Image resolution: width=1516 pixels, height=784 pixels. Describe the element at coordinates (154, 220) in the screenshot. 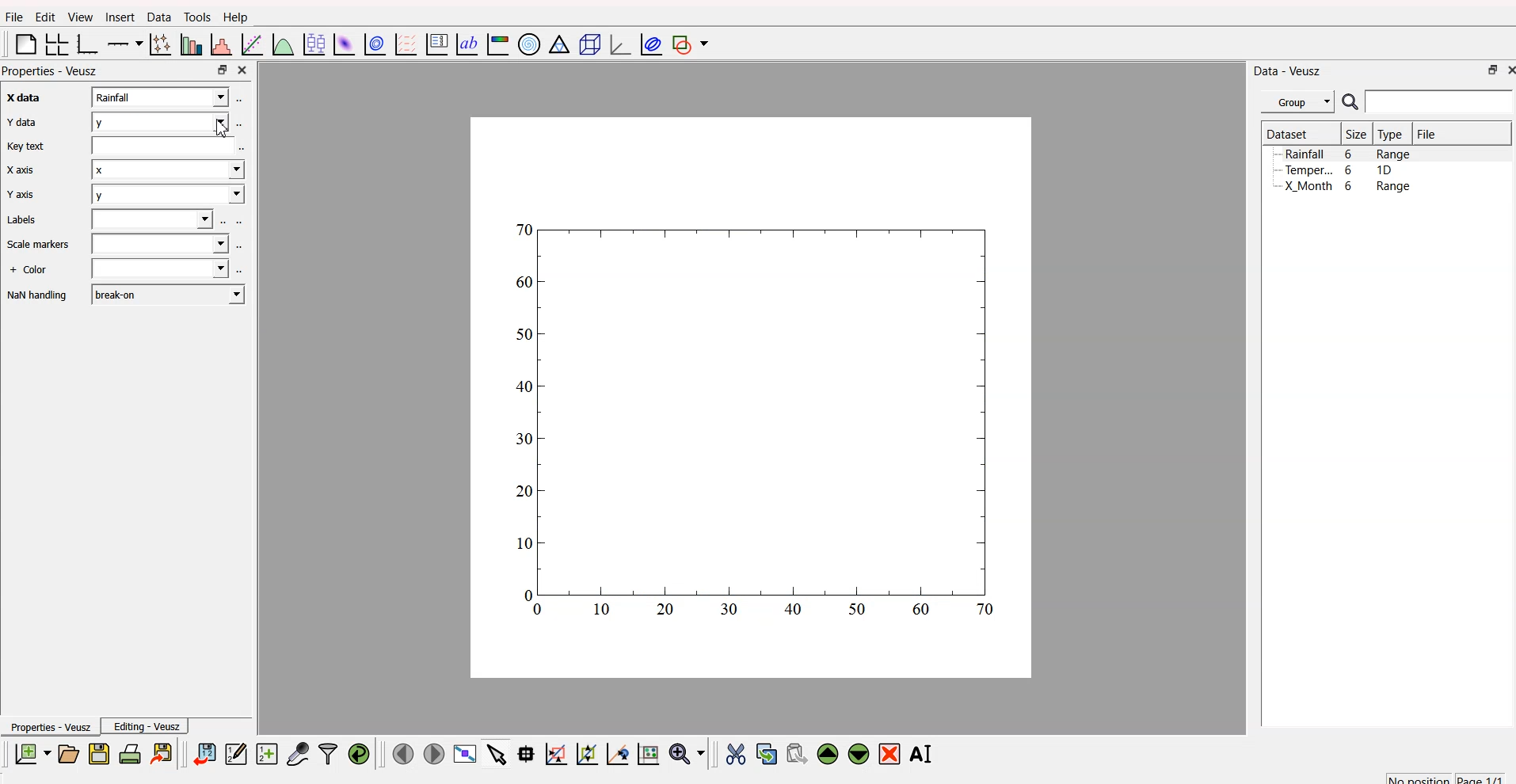

I see `field` at that location.